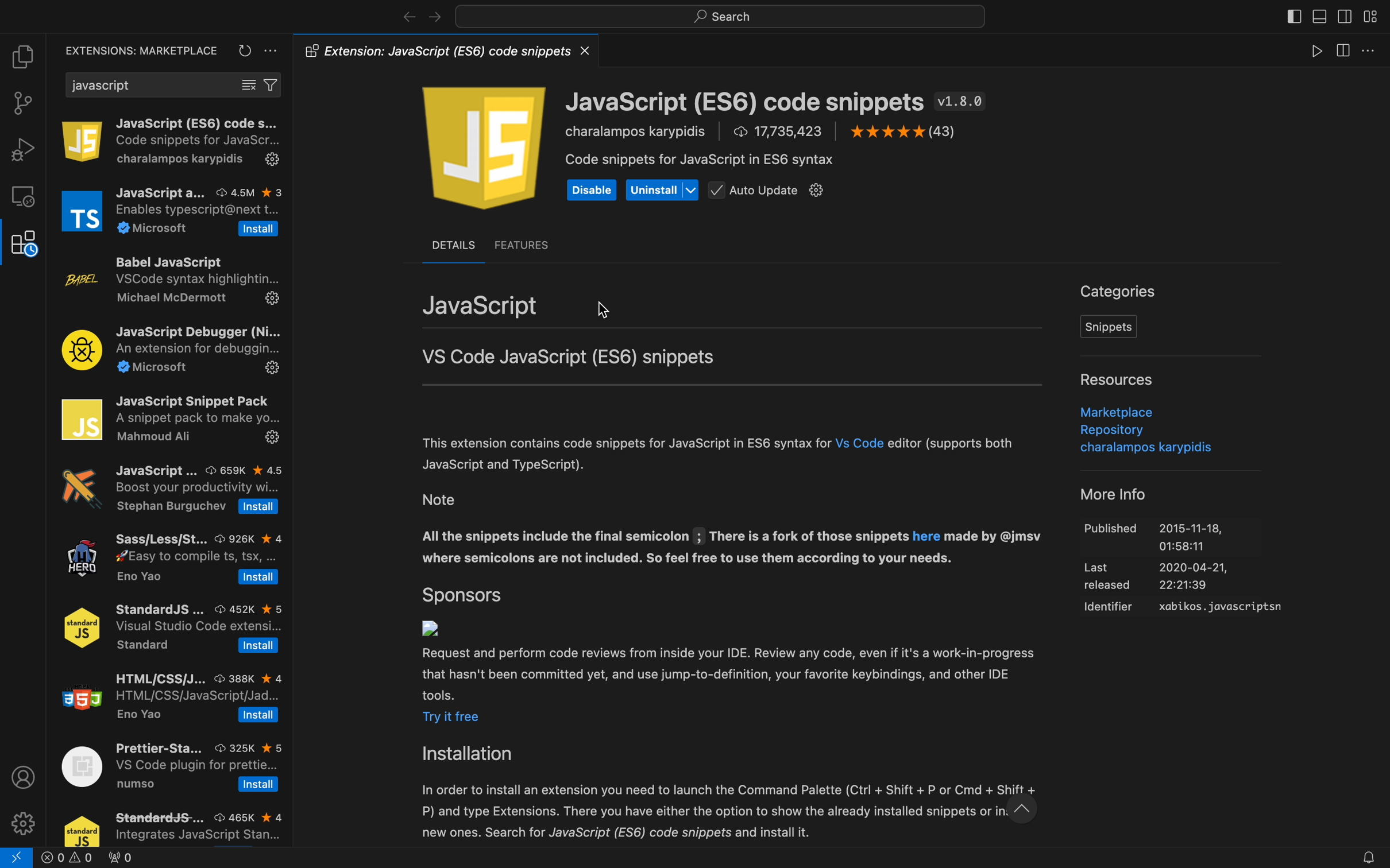 The width and height of the screenshot is (1390, 868). What do you see at coordinates (106, 858) in the screenshot?
I see `error logs` at bounding box center [106, 858].